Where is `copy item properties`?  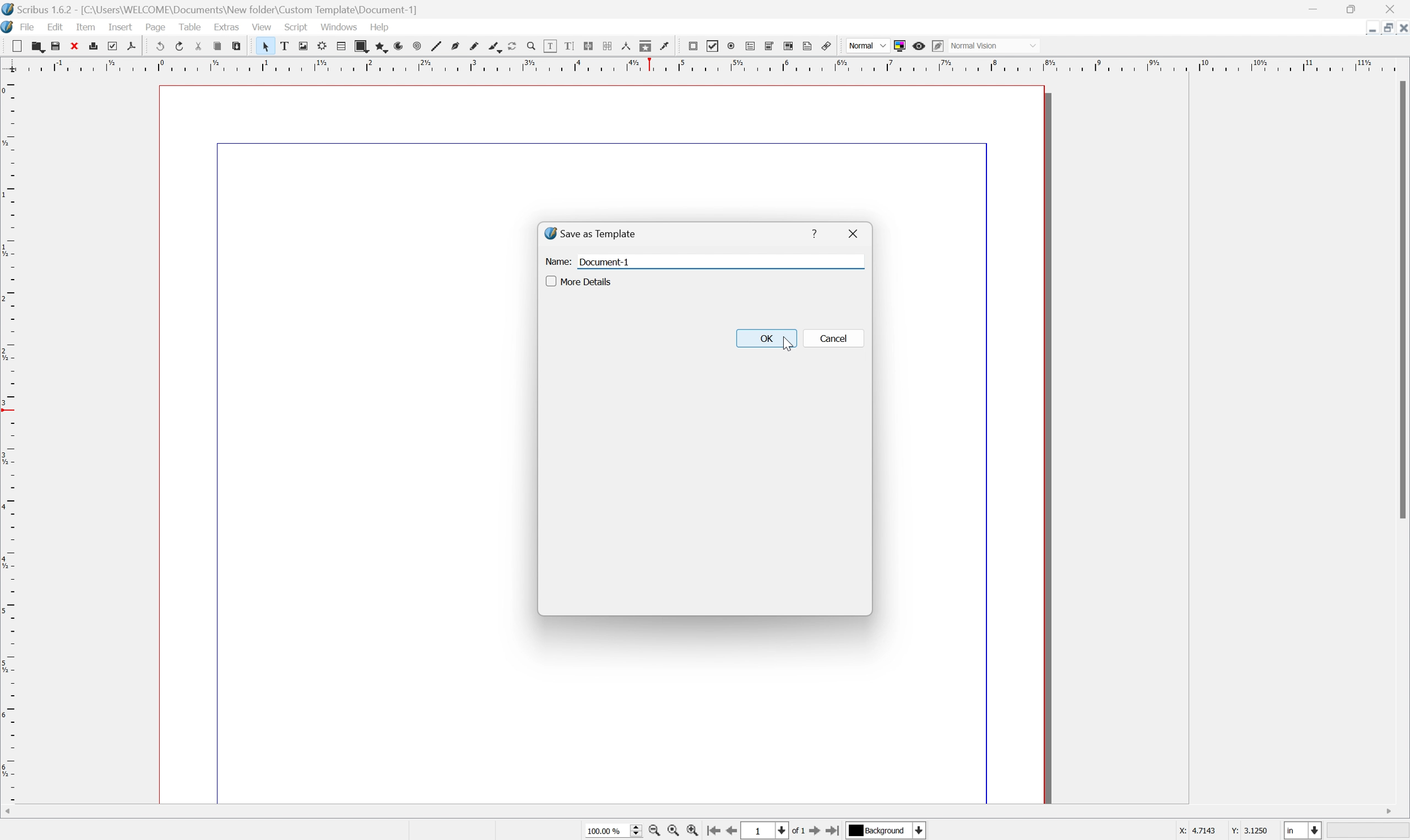 copy item properties is located at coordinates (646, 46).